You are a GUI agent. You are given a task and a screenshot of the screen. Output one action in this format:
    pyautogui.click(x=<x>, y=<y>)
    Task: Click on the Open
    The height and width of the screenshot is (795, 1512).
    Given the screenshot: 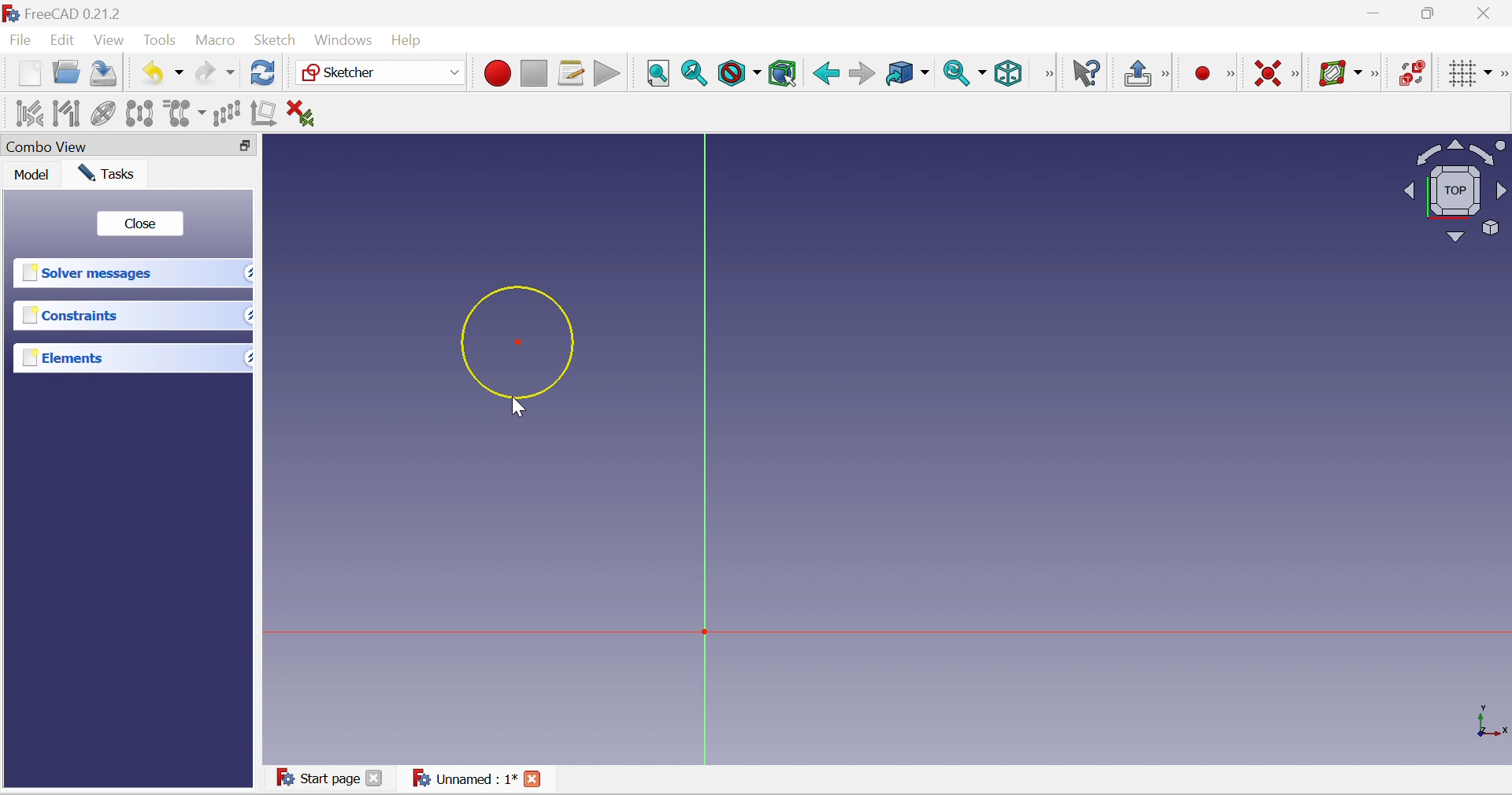 What is the action you would take?
    pyautogui.click(x=64, y=71)
    